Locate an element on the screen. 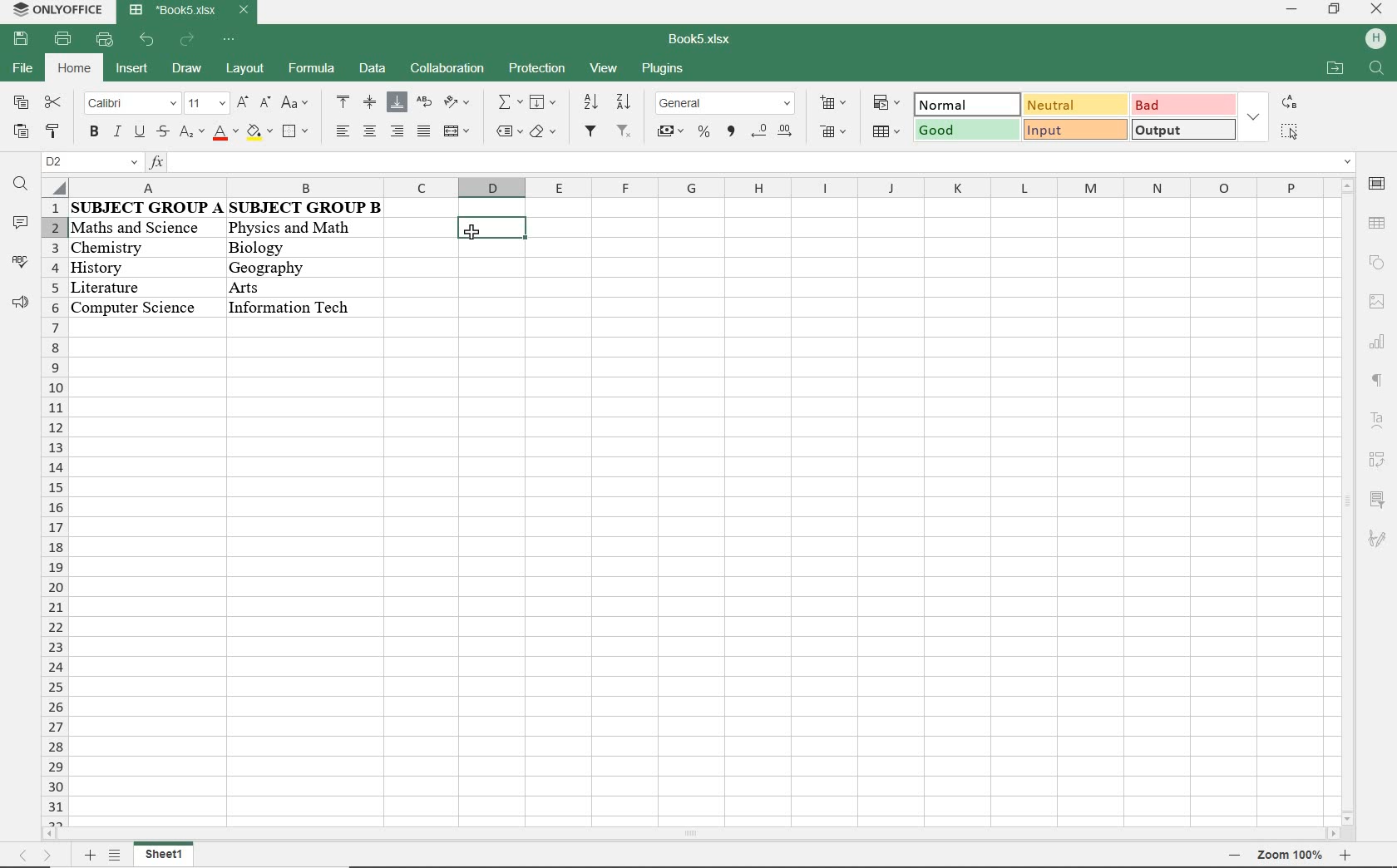  selected cell is located at coordinates (491, 228).